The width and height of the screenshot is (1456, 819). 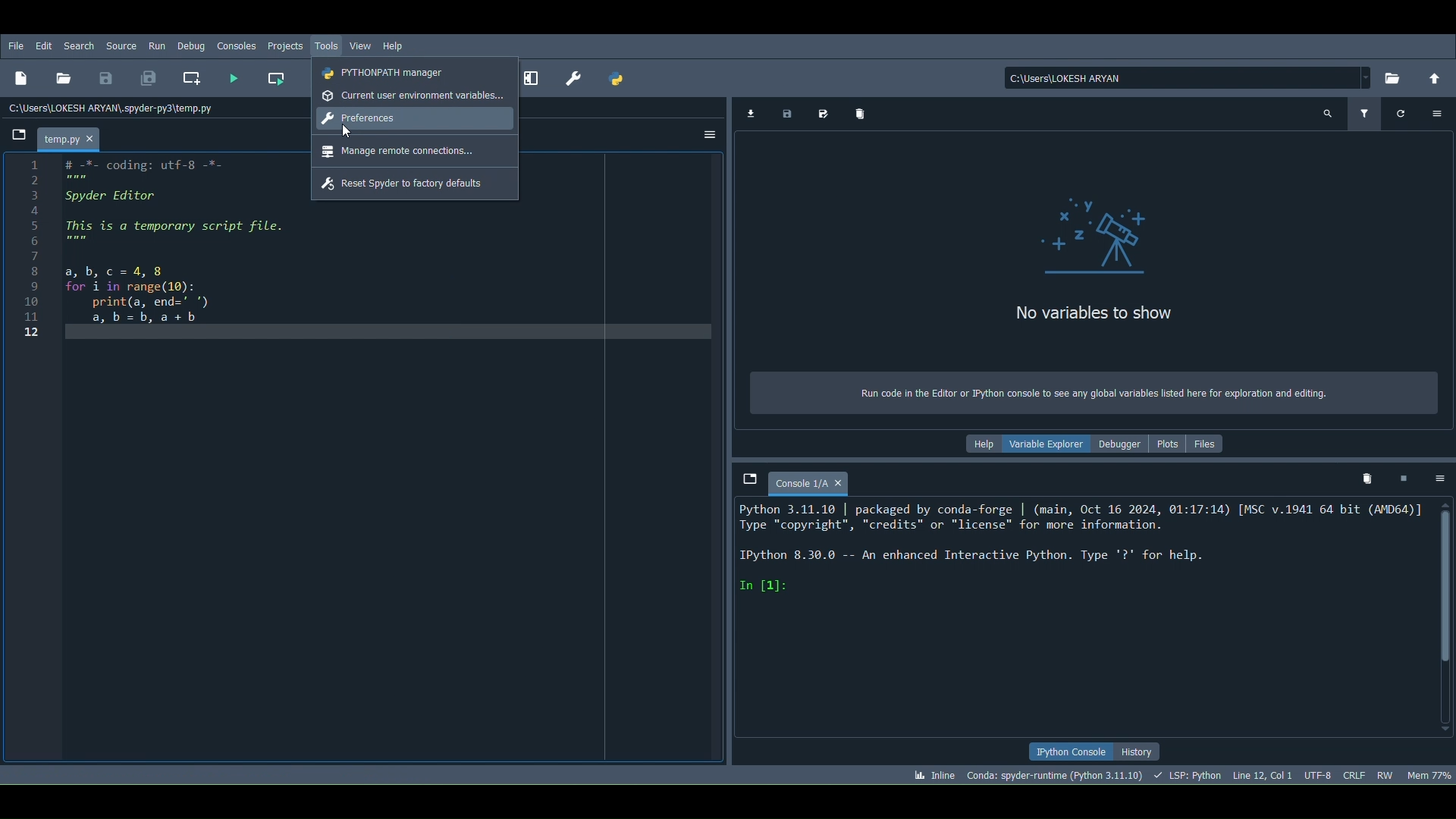 What do you see at coordinates (867, 115) in the screenshot?
I see `Remove all variables` at bounding box center [867, 115].